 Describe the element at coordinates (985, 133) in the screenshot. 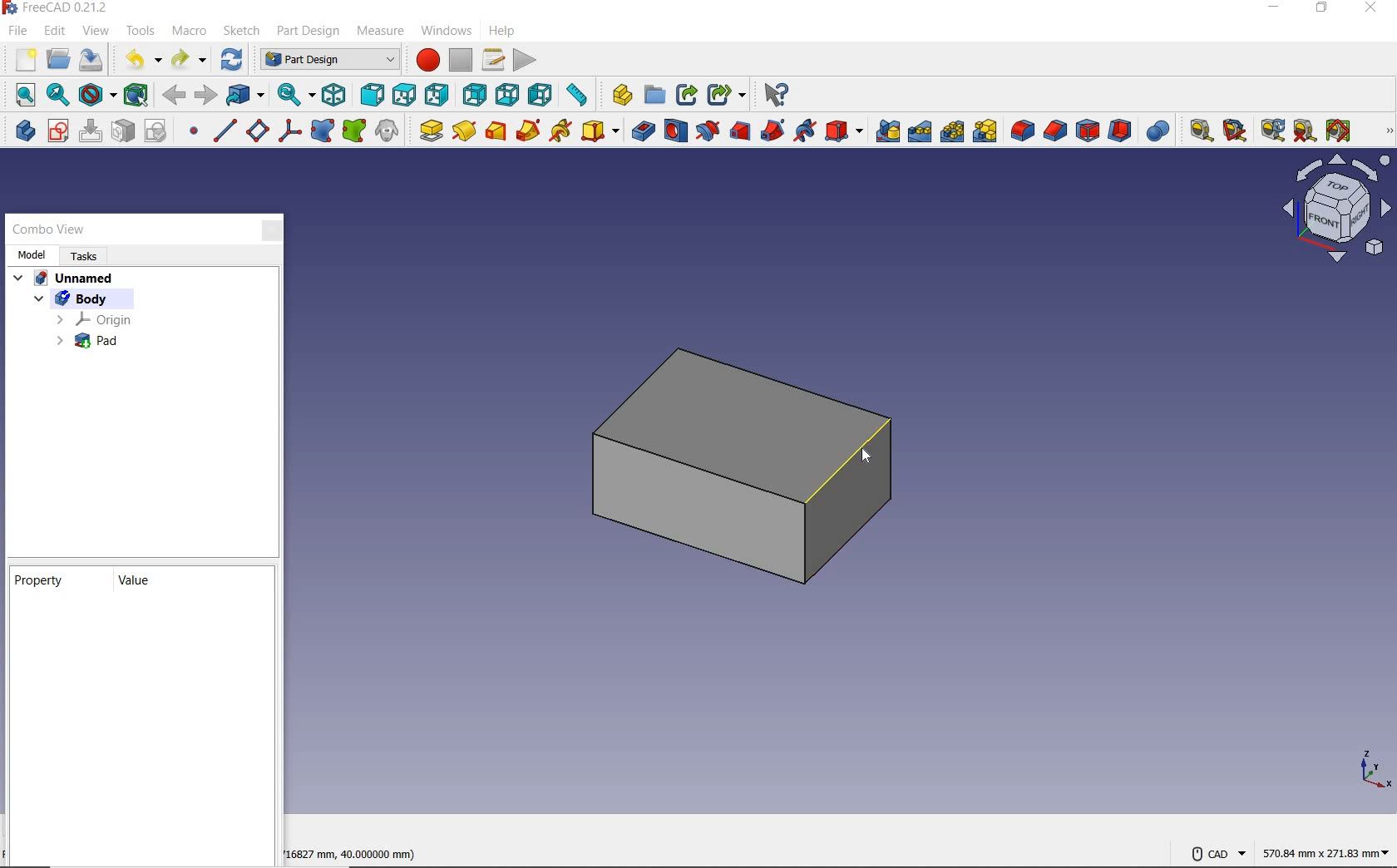

I see `create multitransform` at that location.